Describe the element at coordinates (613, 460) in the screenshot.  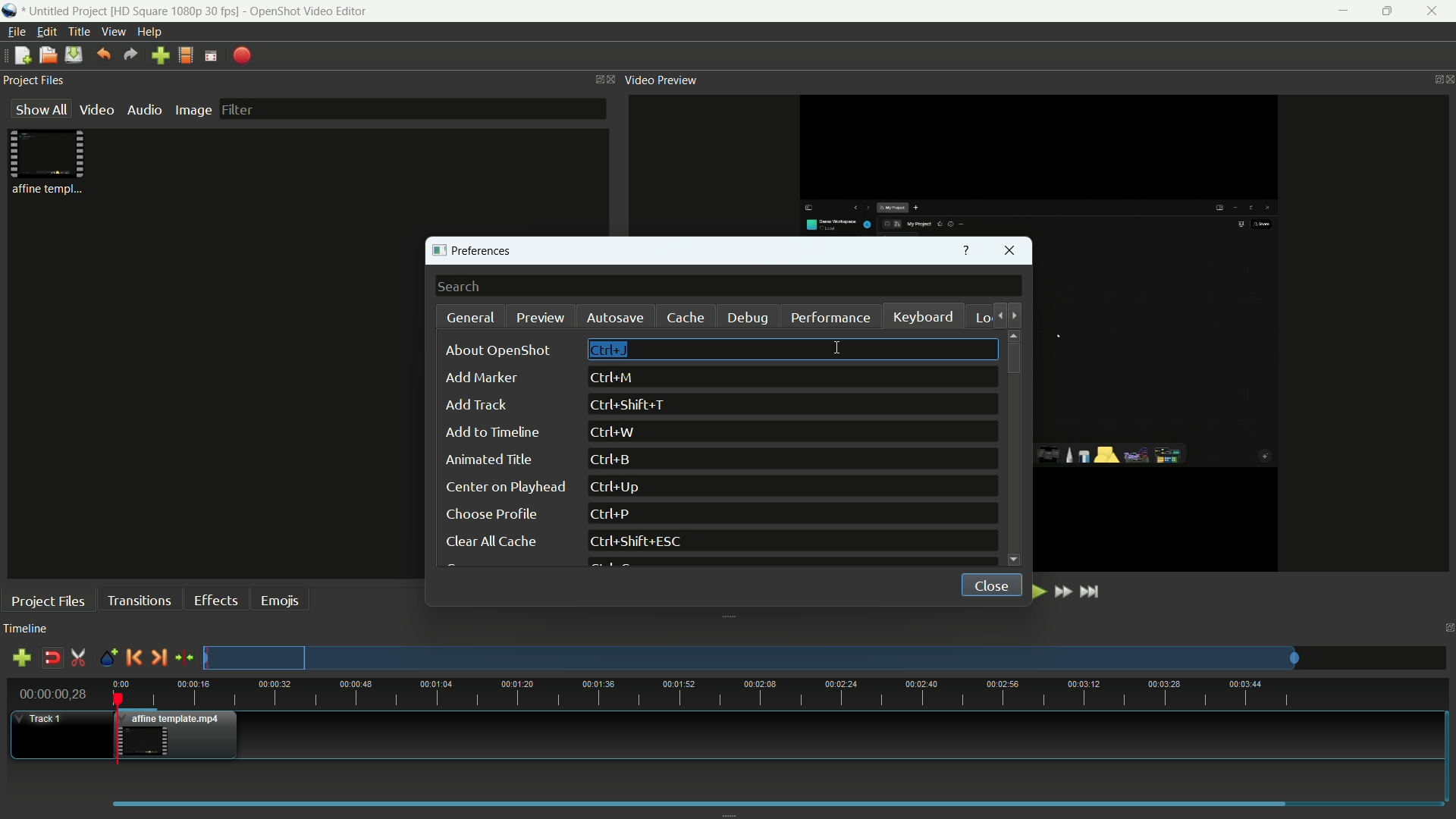
I see `keyboard shortcut` at that location.